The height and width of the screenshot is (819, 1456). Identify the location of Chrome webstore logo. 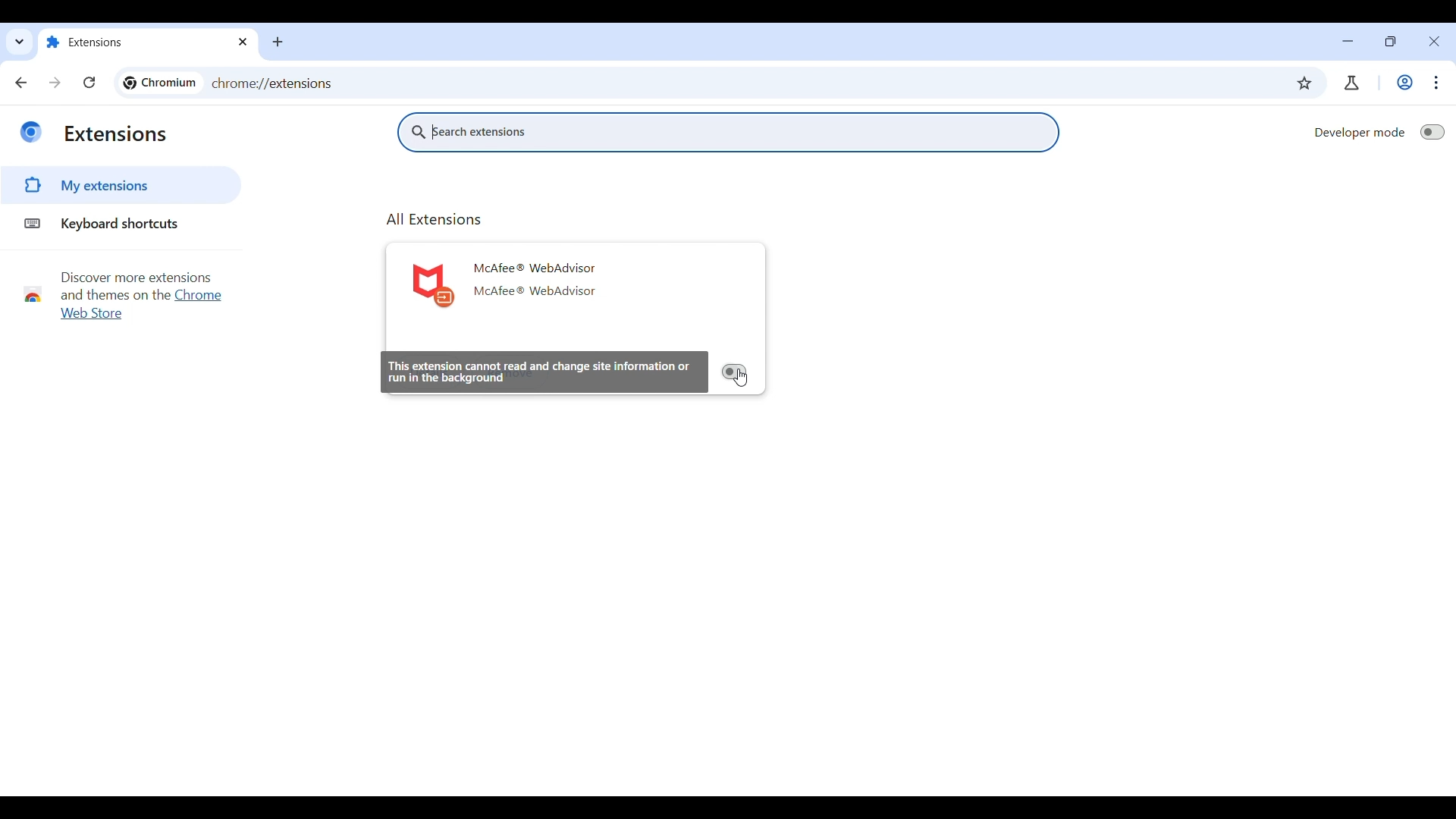
(32, 294).